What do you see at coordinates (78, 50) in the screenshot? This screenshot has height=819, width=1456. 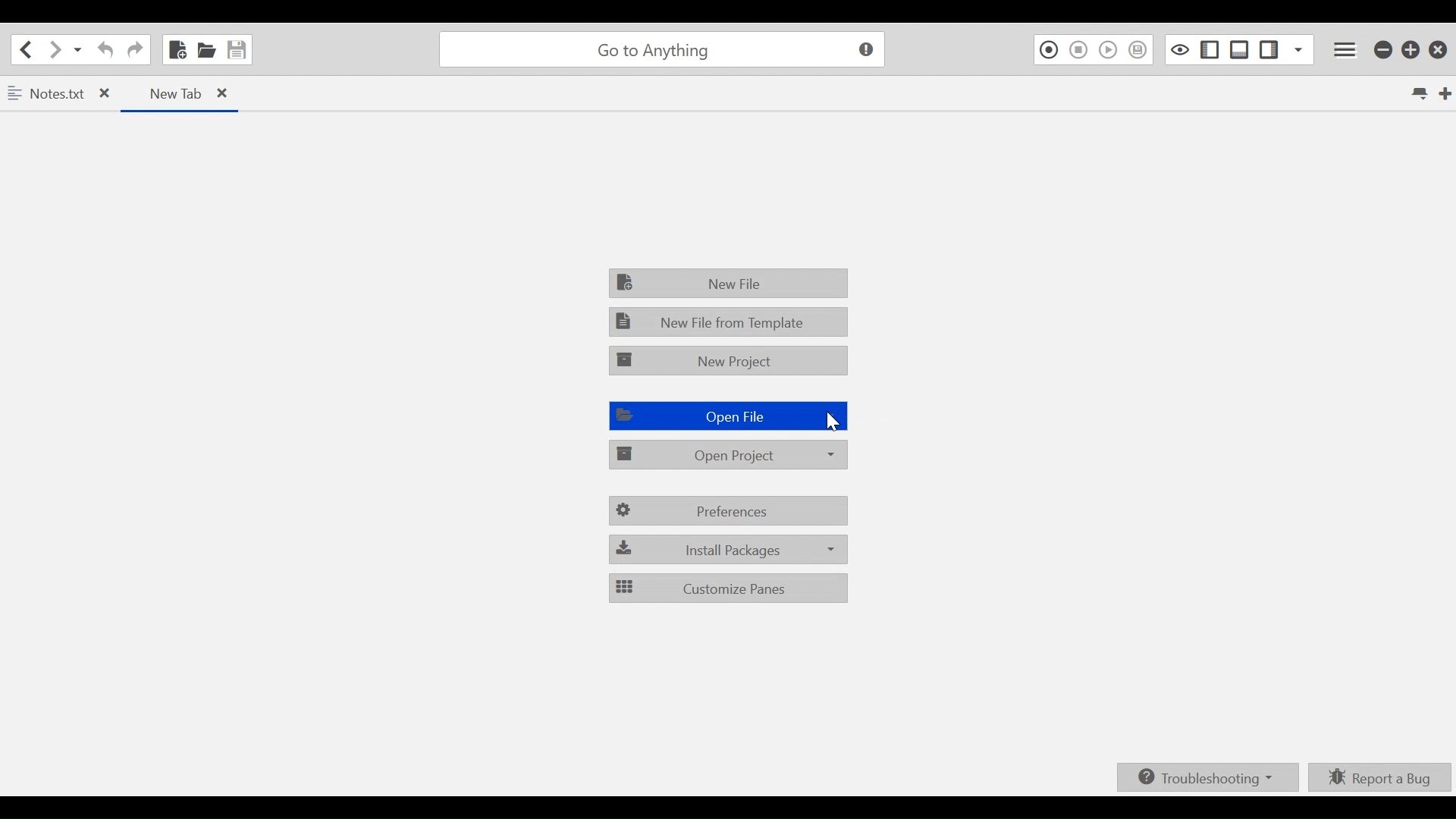 I see `Recent locations` at bounding box center [78, 50].